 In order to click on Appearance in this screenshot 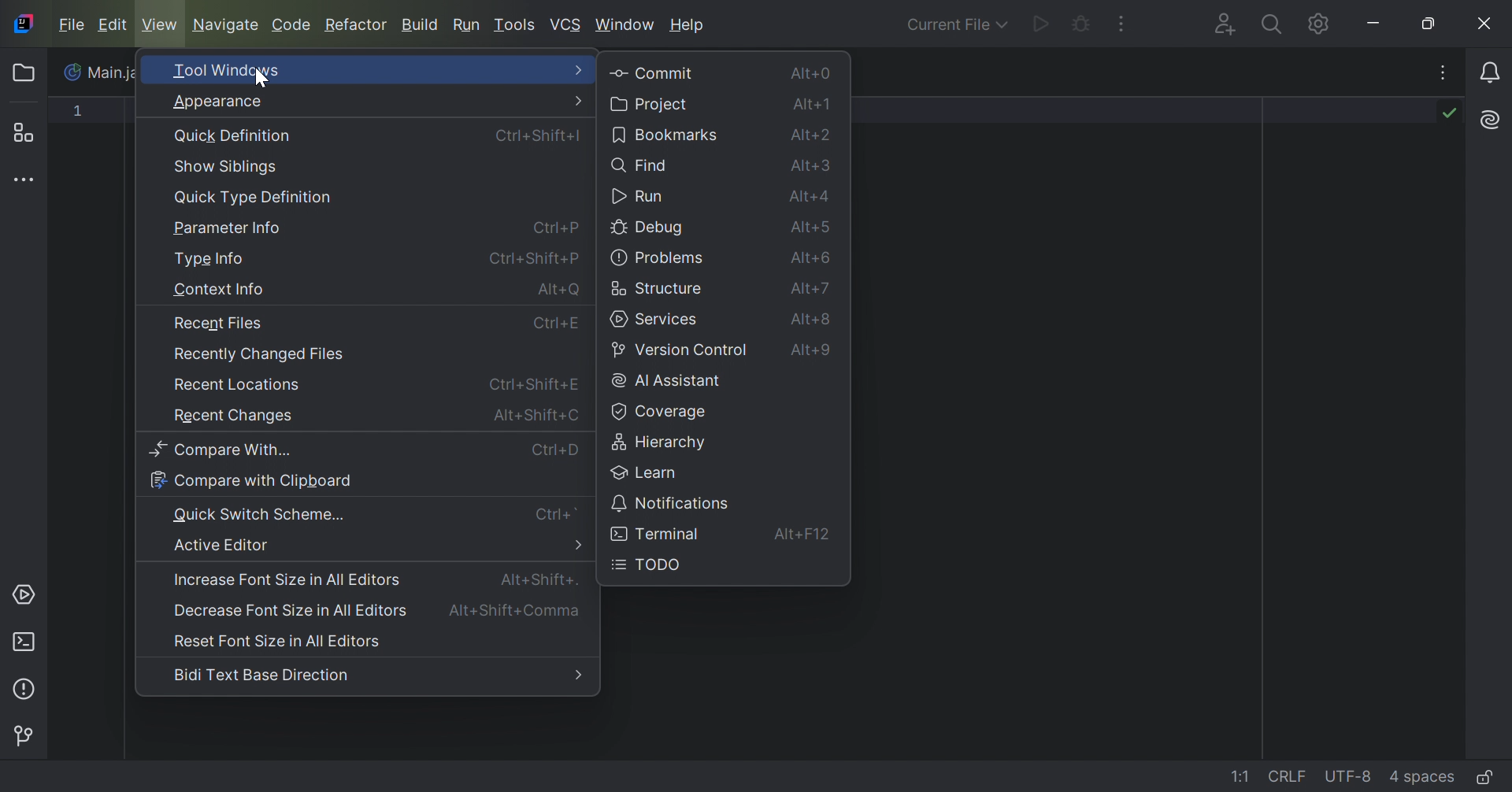, I will do `click(215, 102)`.